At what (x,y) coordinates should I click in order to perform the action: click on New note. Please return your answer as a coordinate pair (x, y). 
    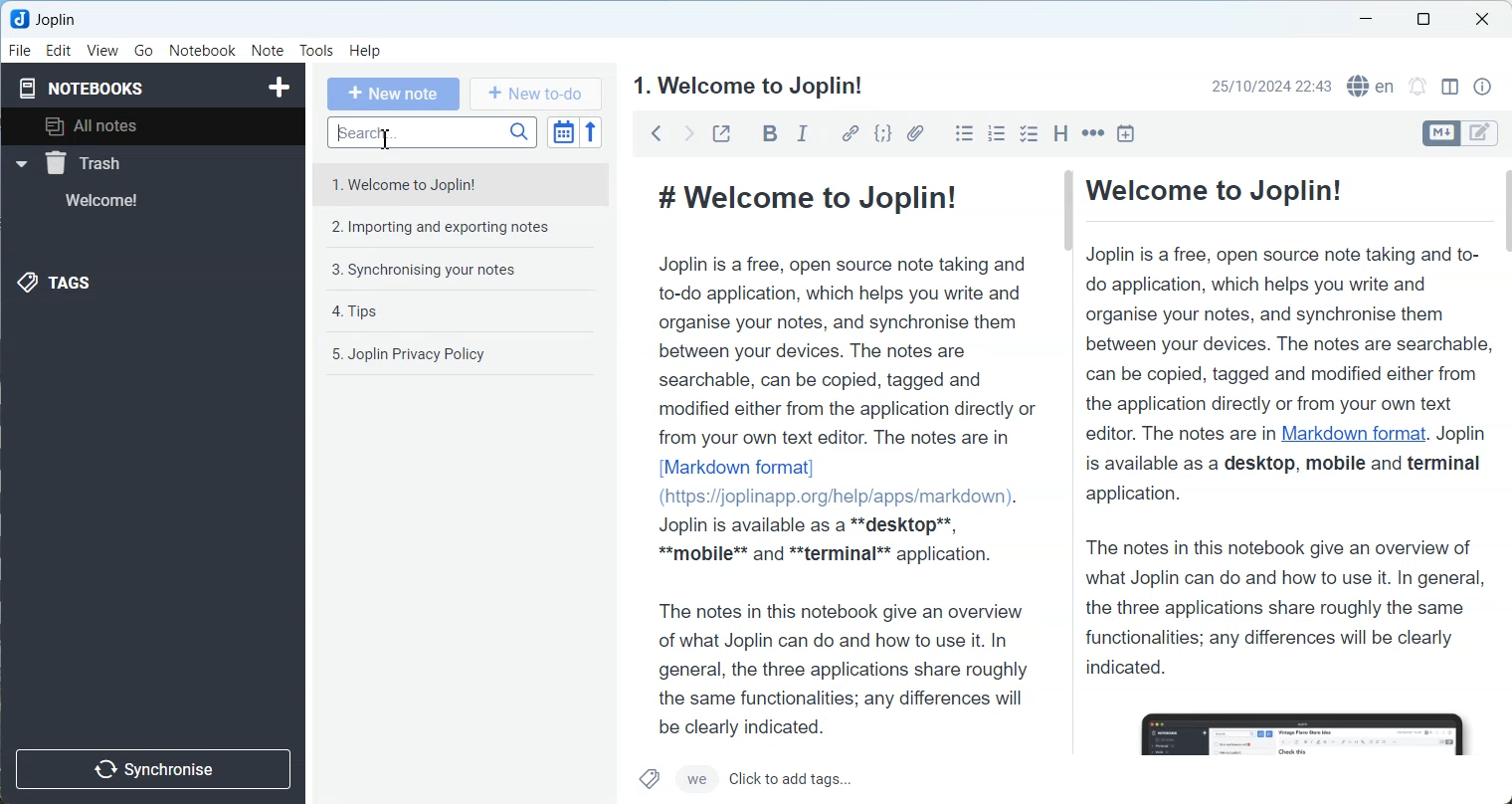
    Looking at the image, I should click on (394, 95).